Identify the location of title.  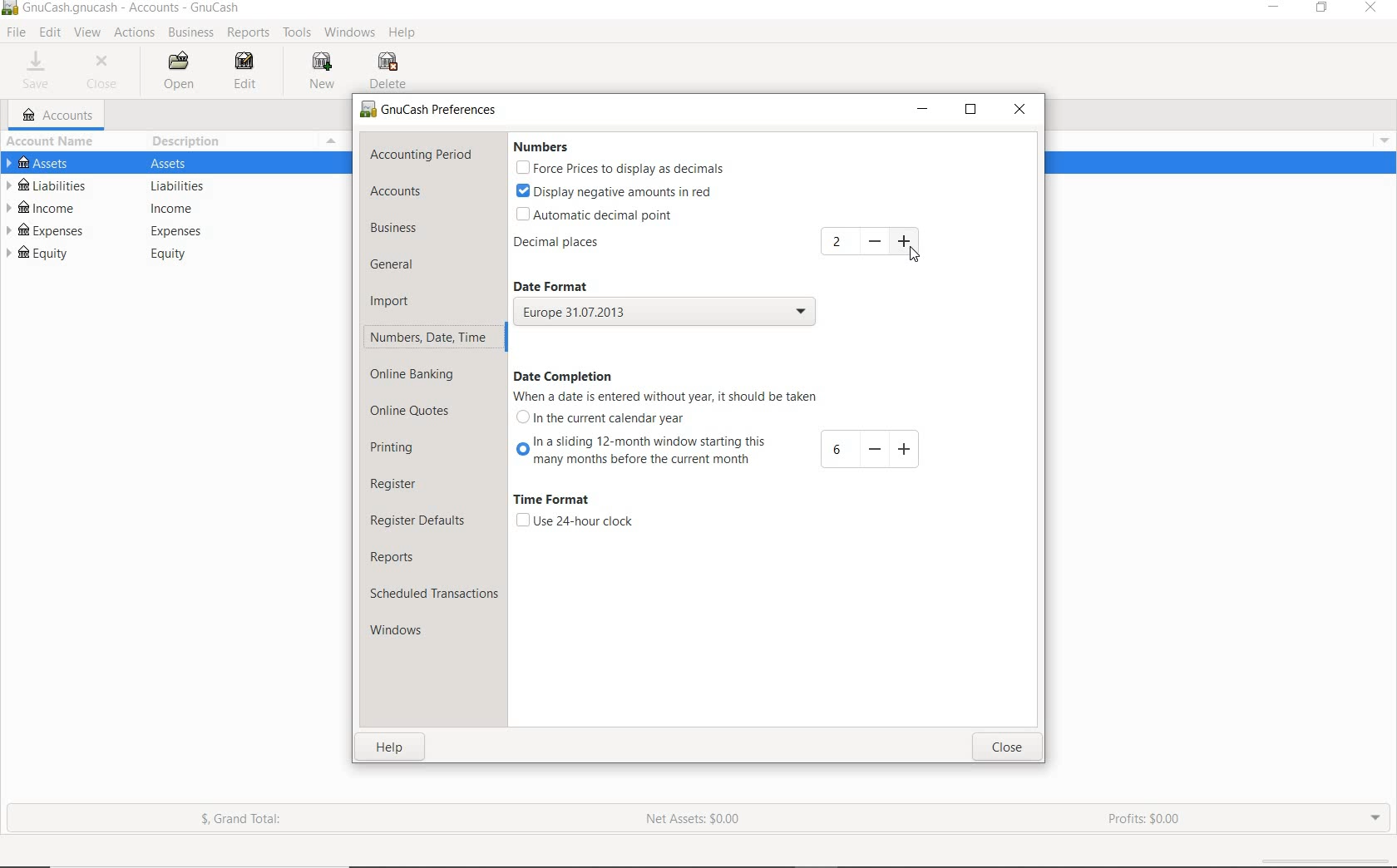
(132, 9).